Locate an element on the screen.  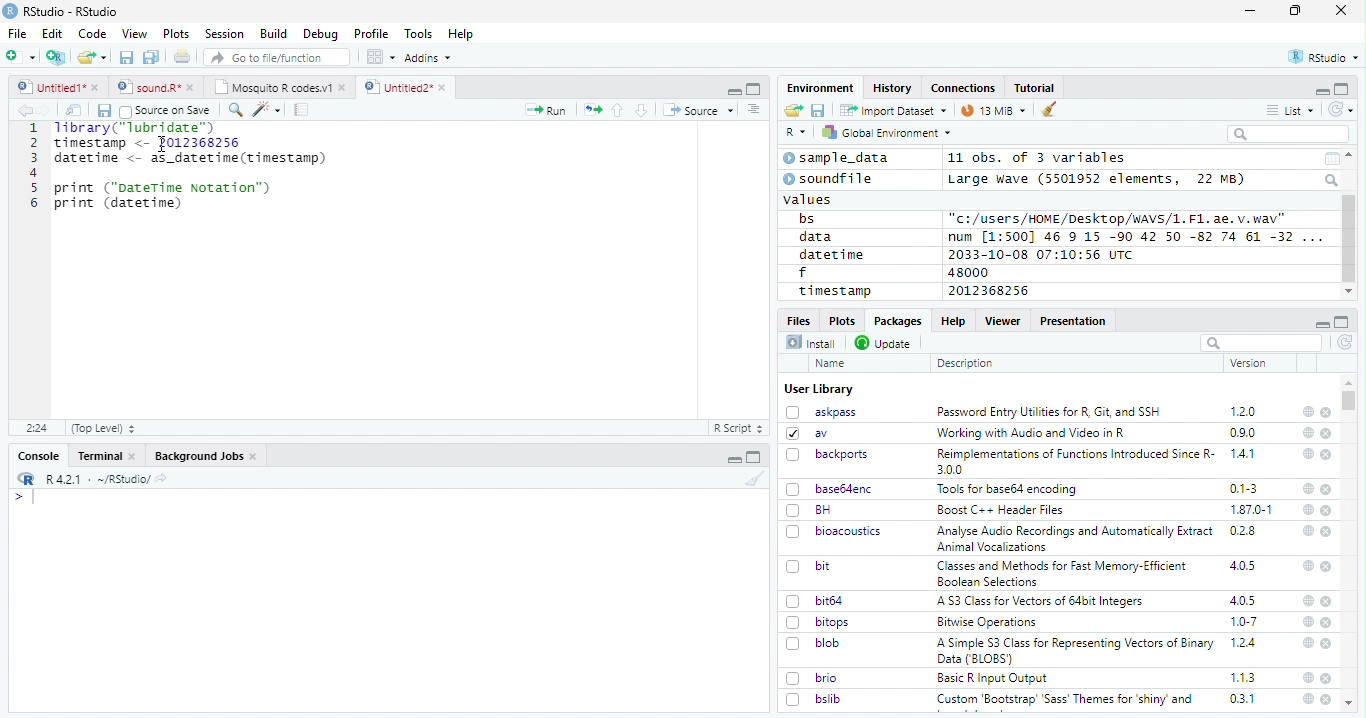
Scroll bar is located at coordinates (1350, 239).